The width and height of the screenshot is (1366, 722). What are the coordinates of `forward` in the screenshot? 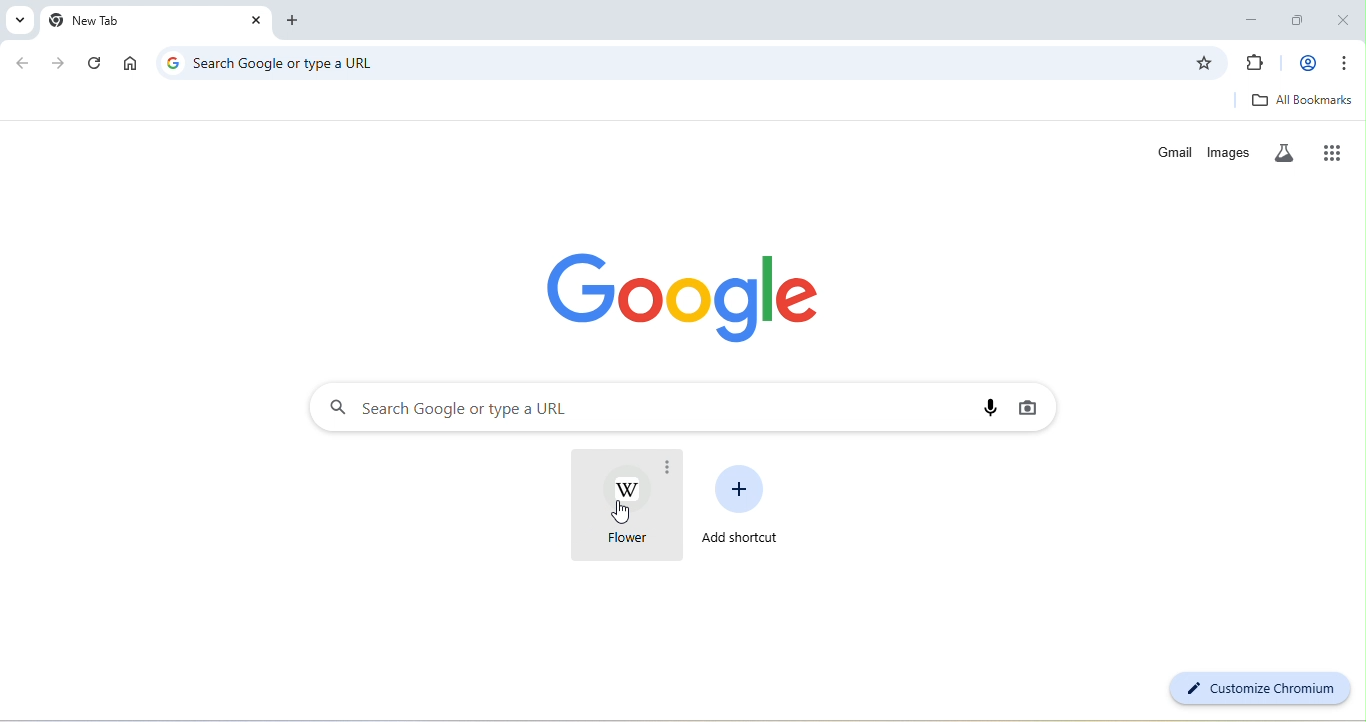 It's located at (59, 63).